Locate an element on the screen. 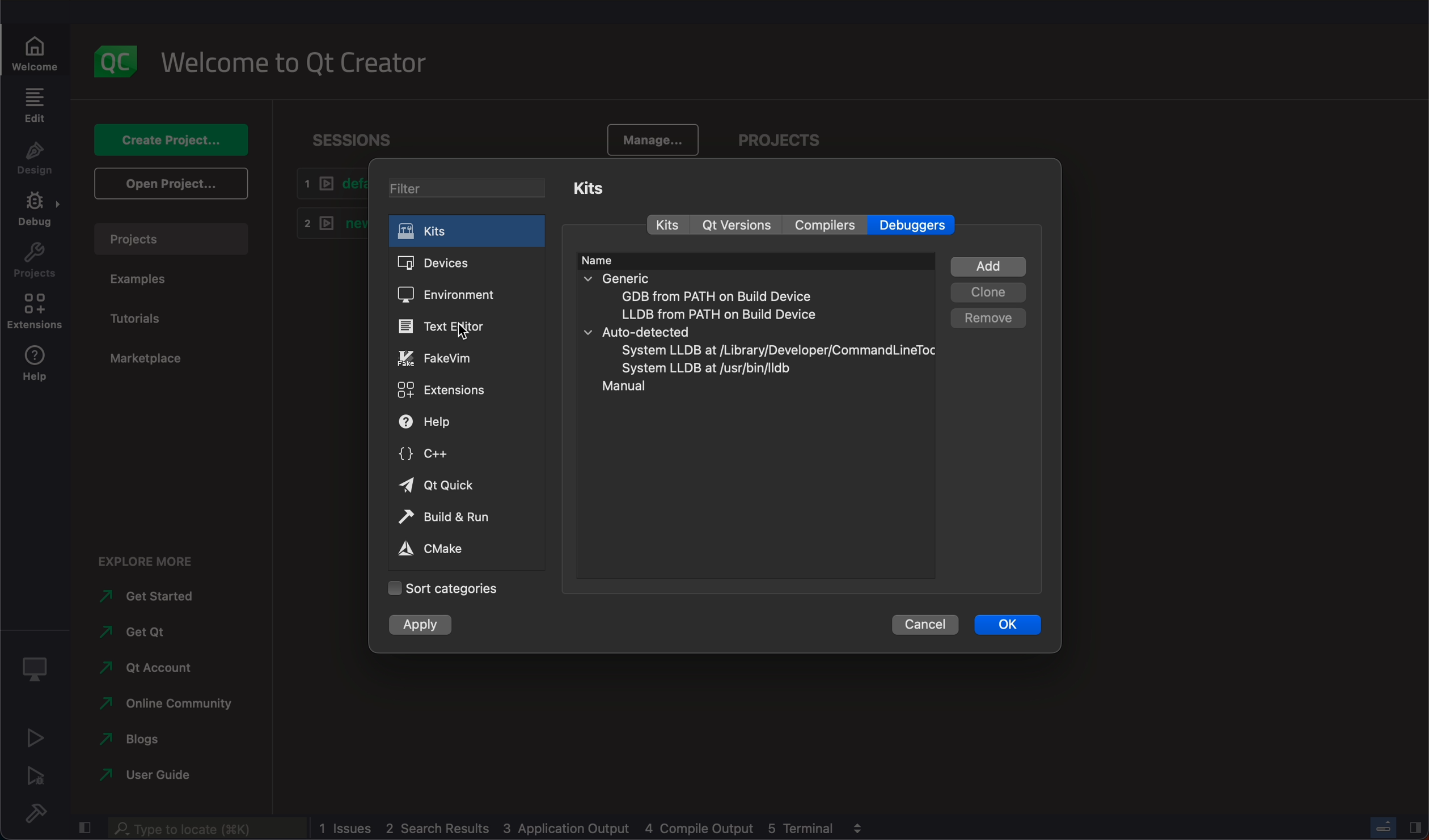 This screenshot has width=1429, height=840. progress bar is located at coordinates (1385, 827).